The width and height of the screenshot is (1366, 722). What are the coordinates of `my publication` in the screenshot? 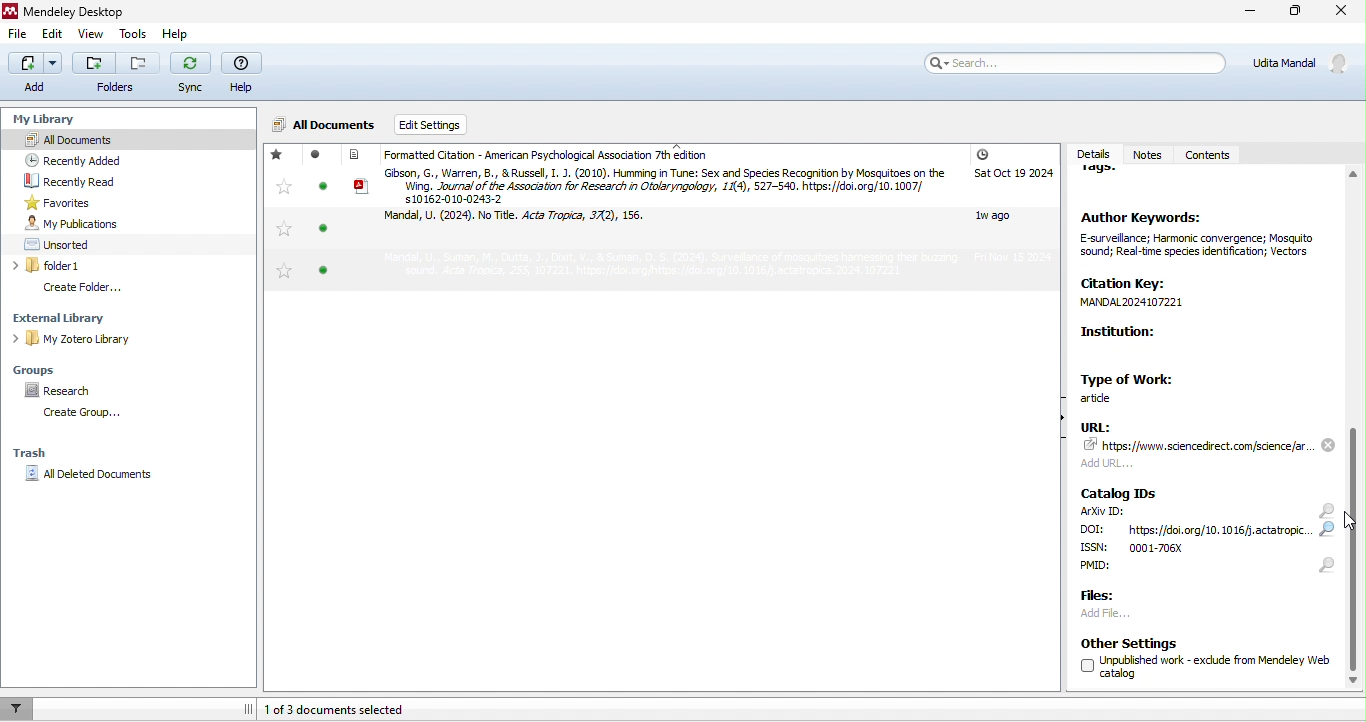 It's located at (94, 223).